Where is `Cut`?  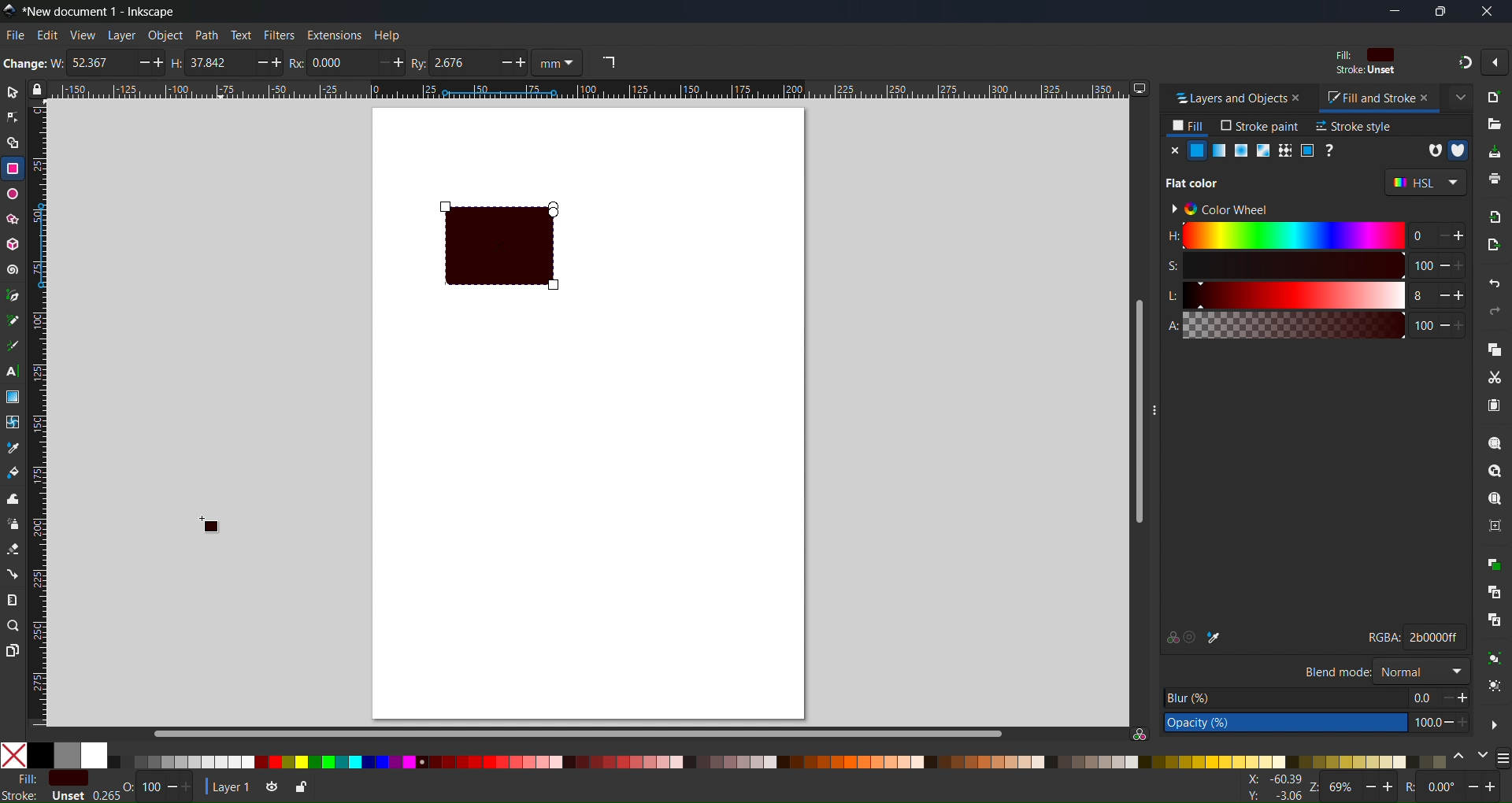
Cut is located at coordinates (1493, 377).